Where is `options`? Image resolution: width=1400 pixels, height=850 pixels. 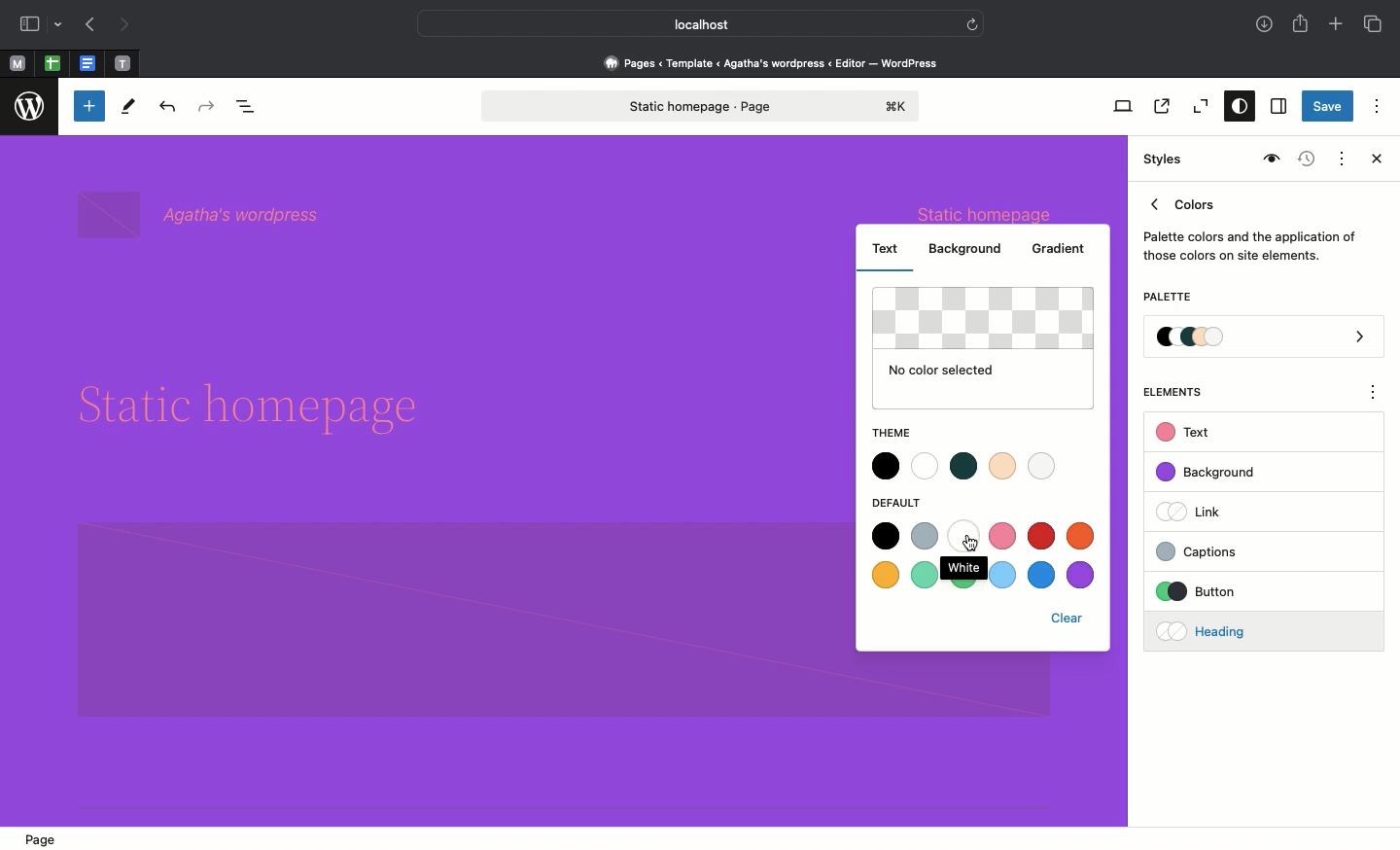
options is located at coordinates (1374, 395).